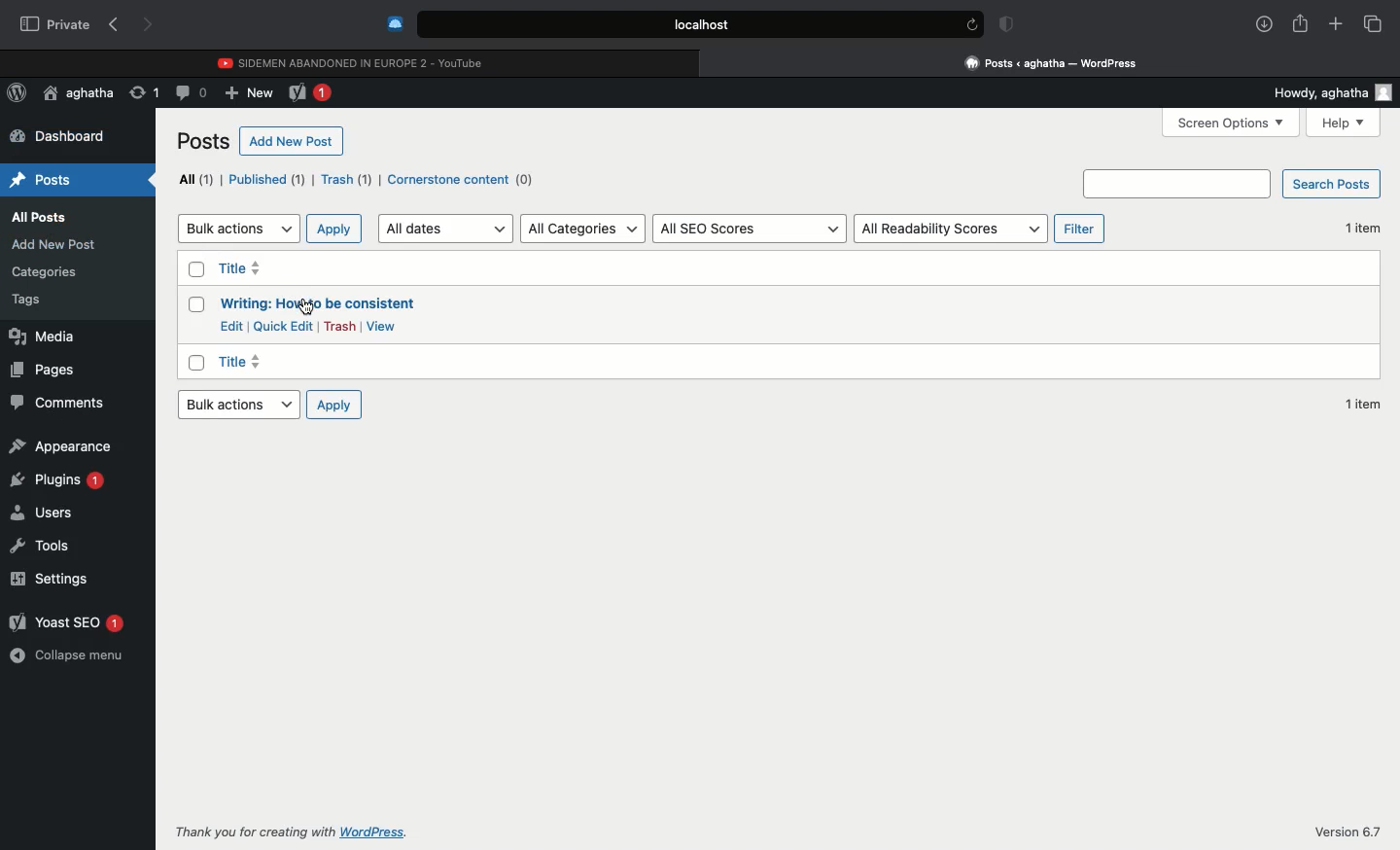 Image resolution: width=1400 pixels, height=850 pixels. I want to click on Help, so click(1343, 122).